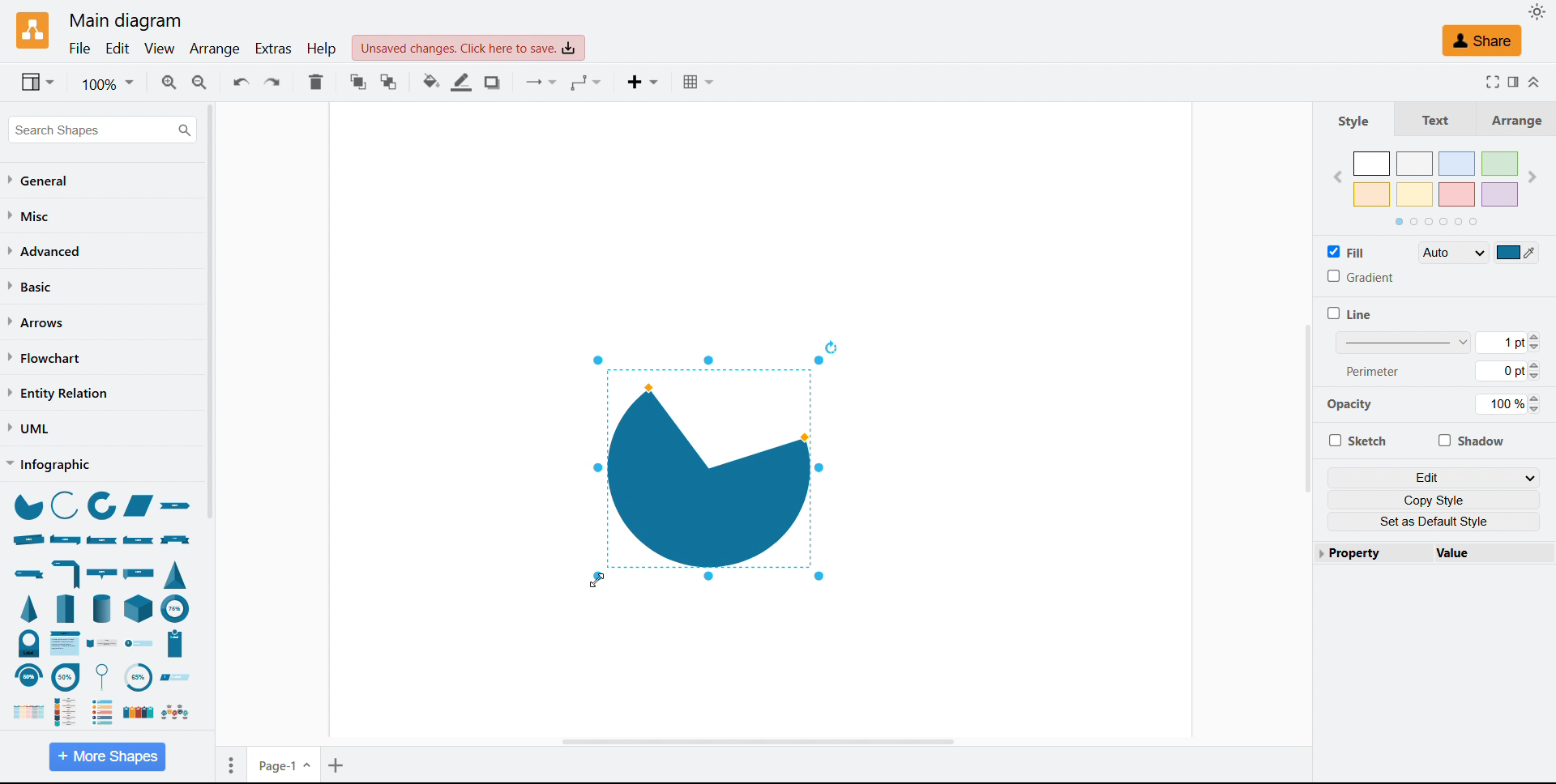 The width and height of the screenshot is (1556, 784). Describe the element at coordinates (1368, 552) in the screenshot. I see `Property ` at that location.